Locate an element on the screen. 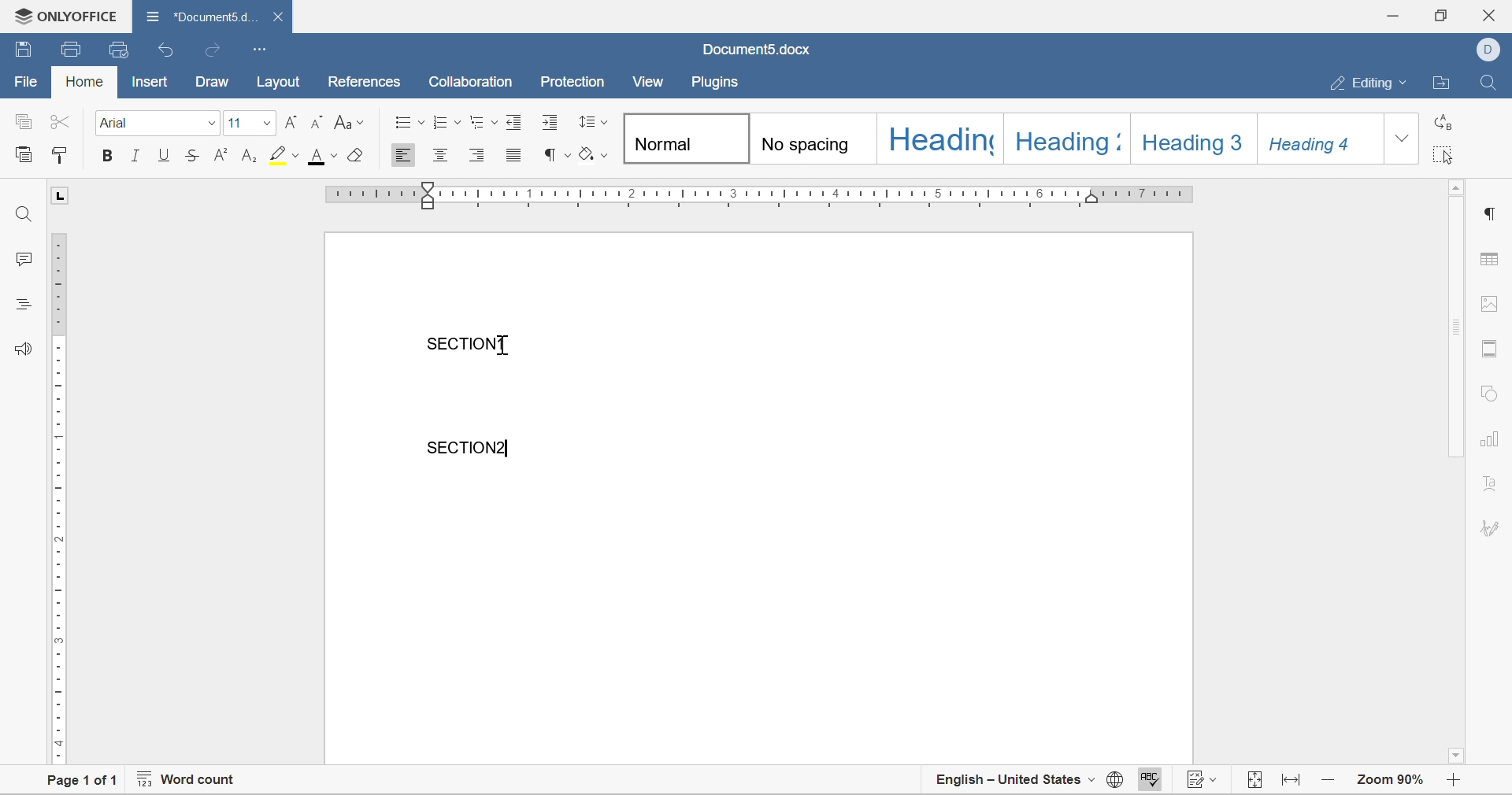 The image size is (1512, 795). header & footer settings is located at coordinates (1488, 349).